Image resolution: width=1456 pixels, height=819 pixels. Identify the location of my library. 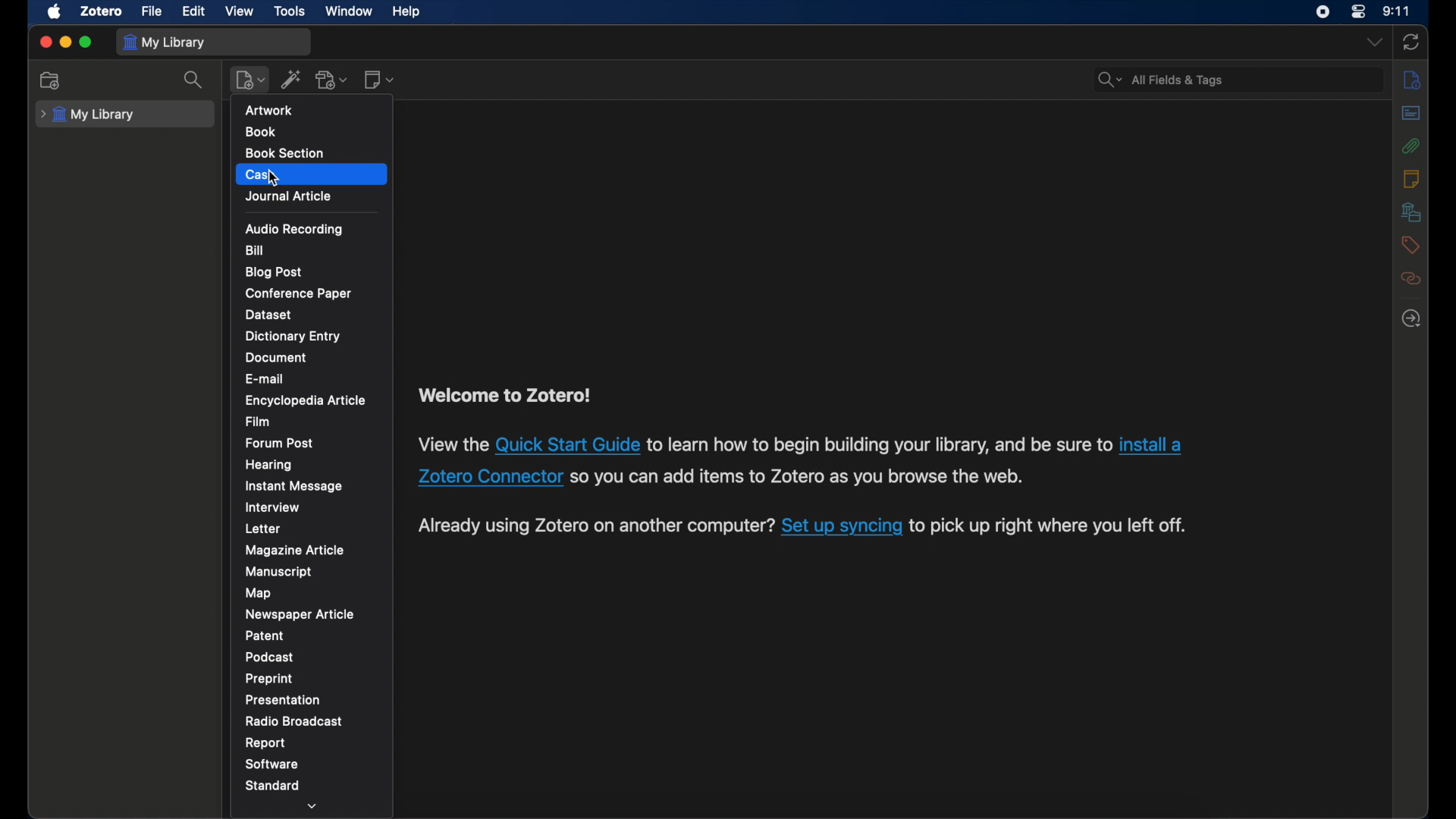
(90, 115).